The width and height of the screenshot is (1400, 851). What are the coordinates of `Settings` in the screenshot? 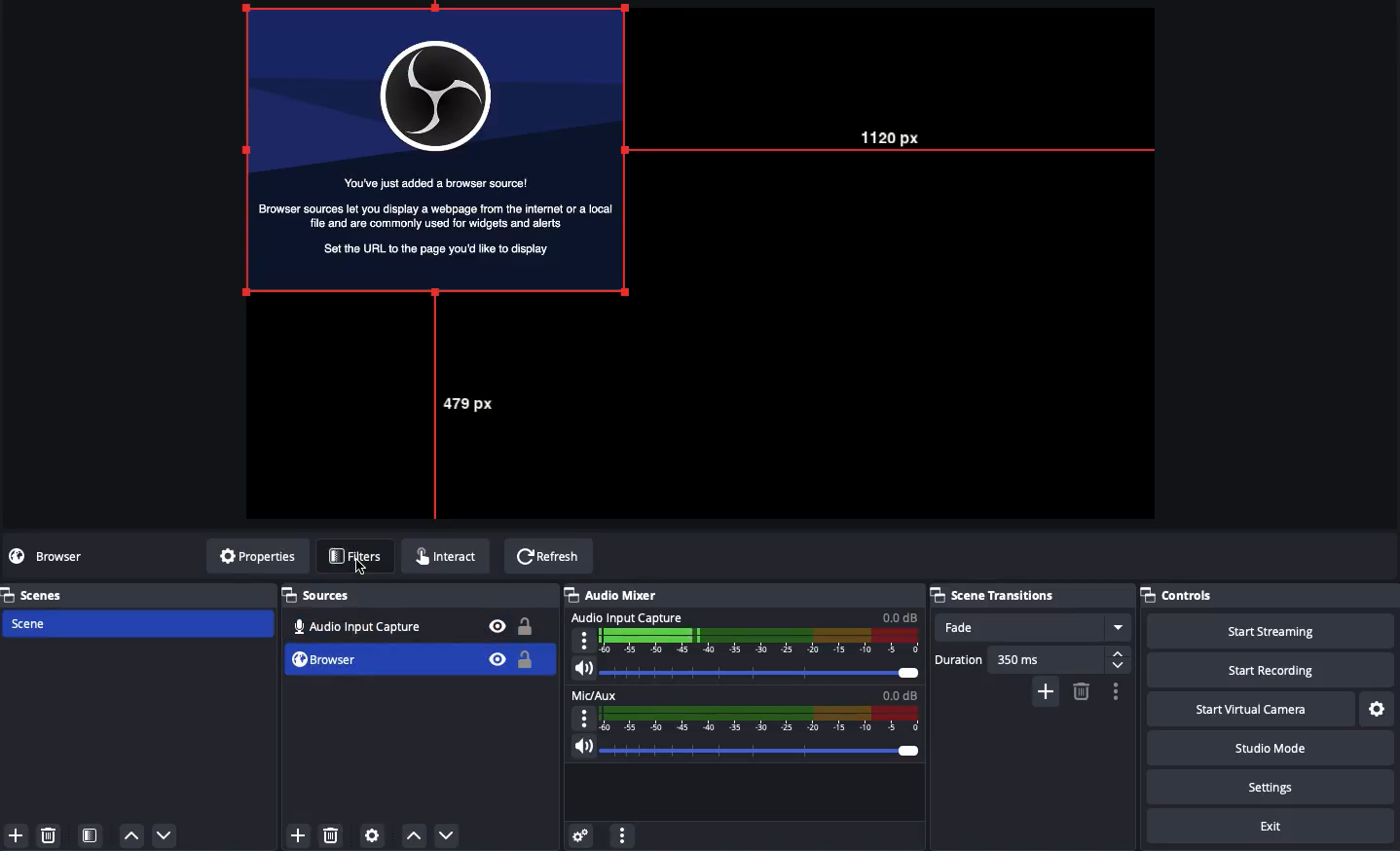 It's located at (1267, 787).